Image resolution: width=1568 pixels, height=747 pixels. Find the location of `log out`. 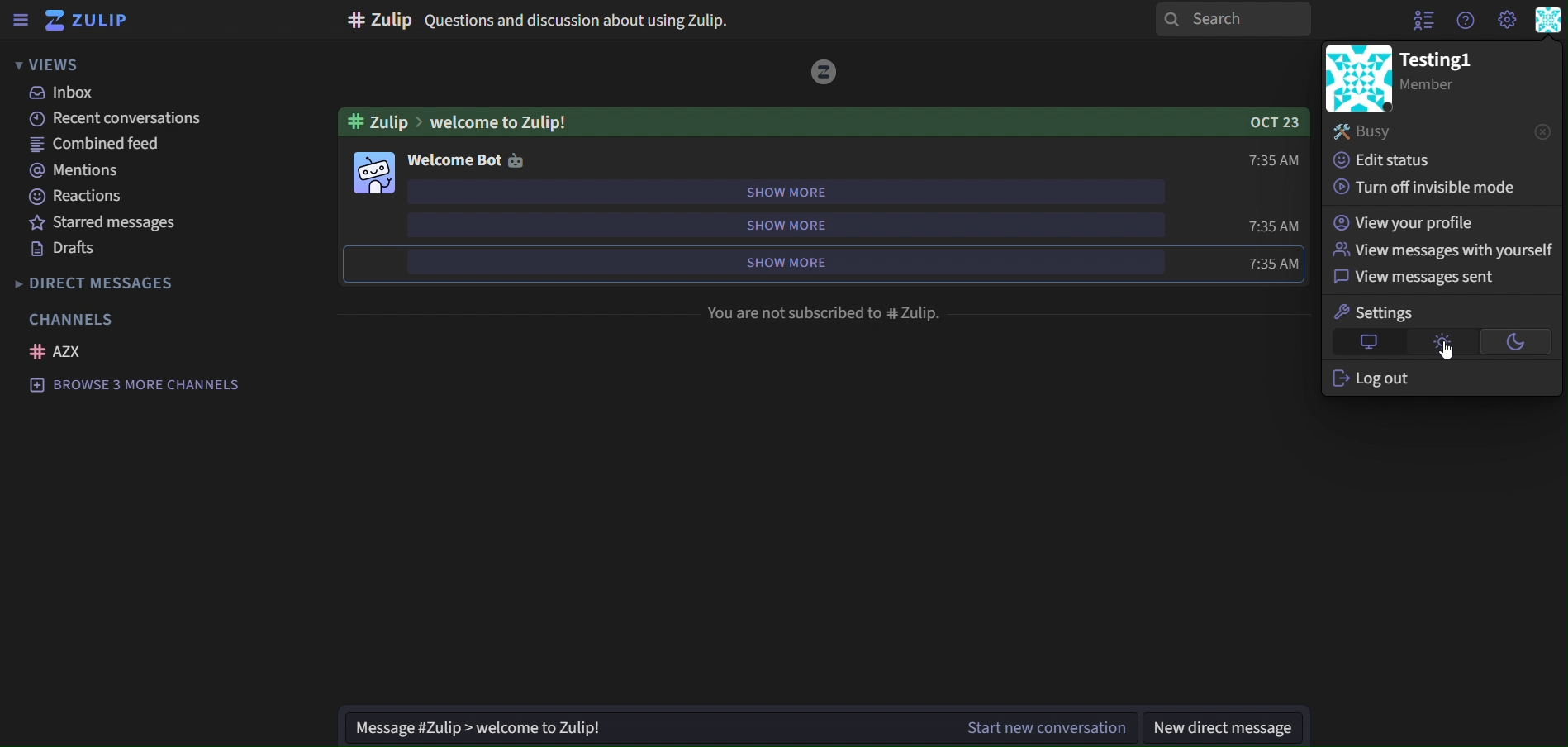

log out is located at coordinates (1374, 379).